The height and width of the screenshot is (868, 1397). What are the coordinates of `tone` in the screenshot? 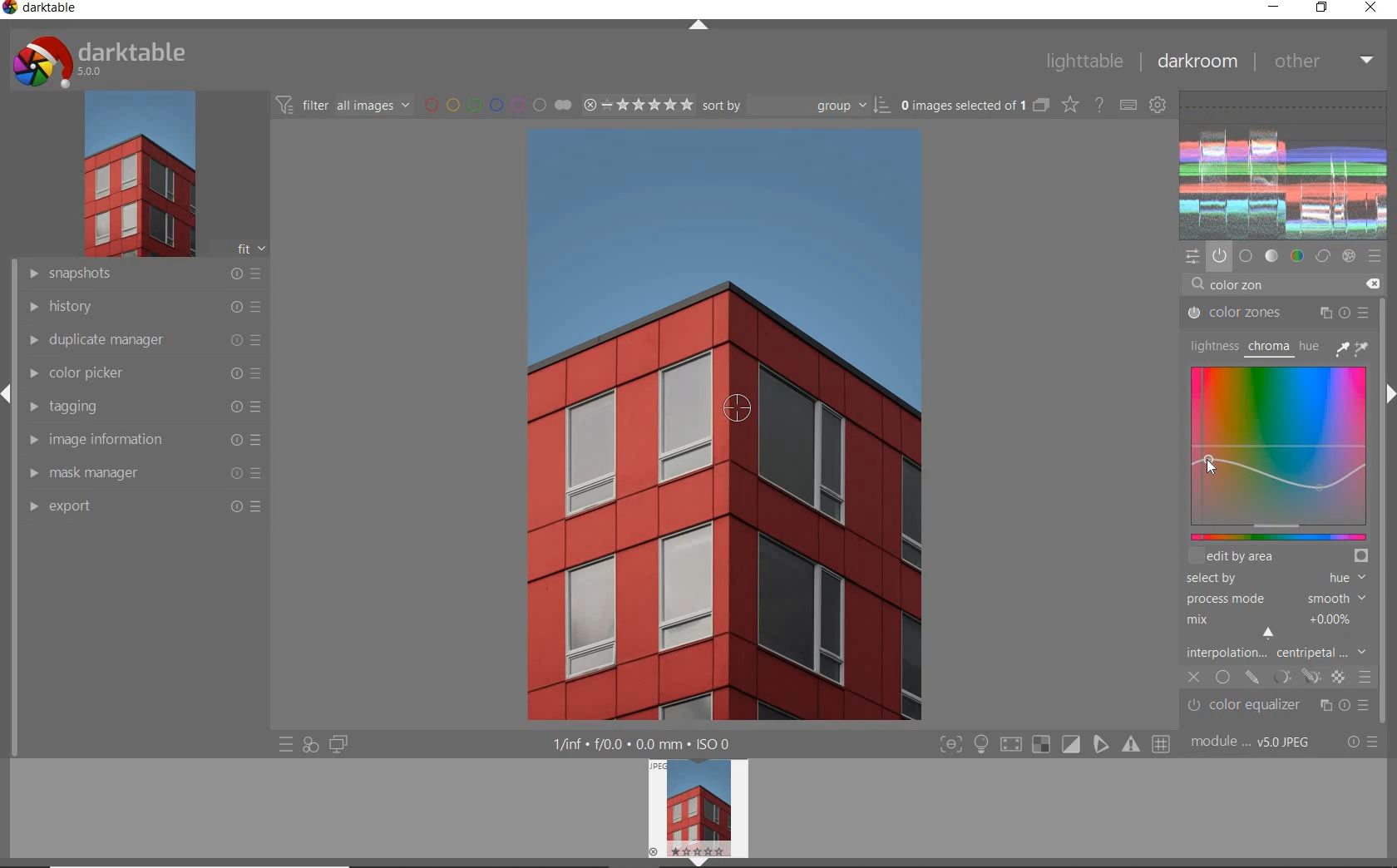 It's located at (1272, 255).